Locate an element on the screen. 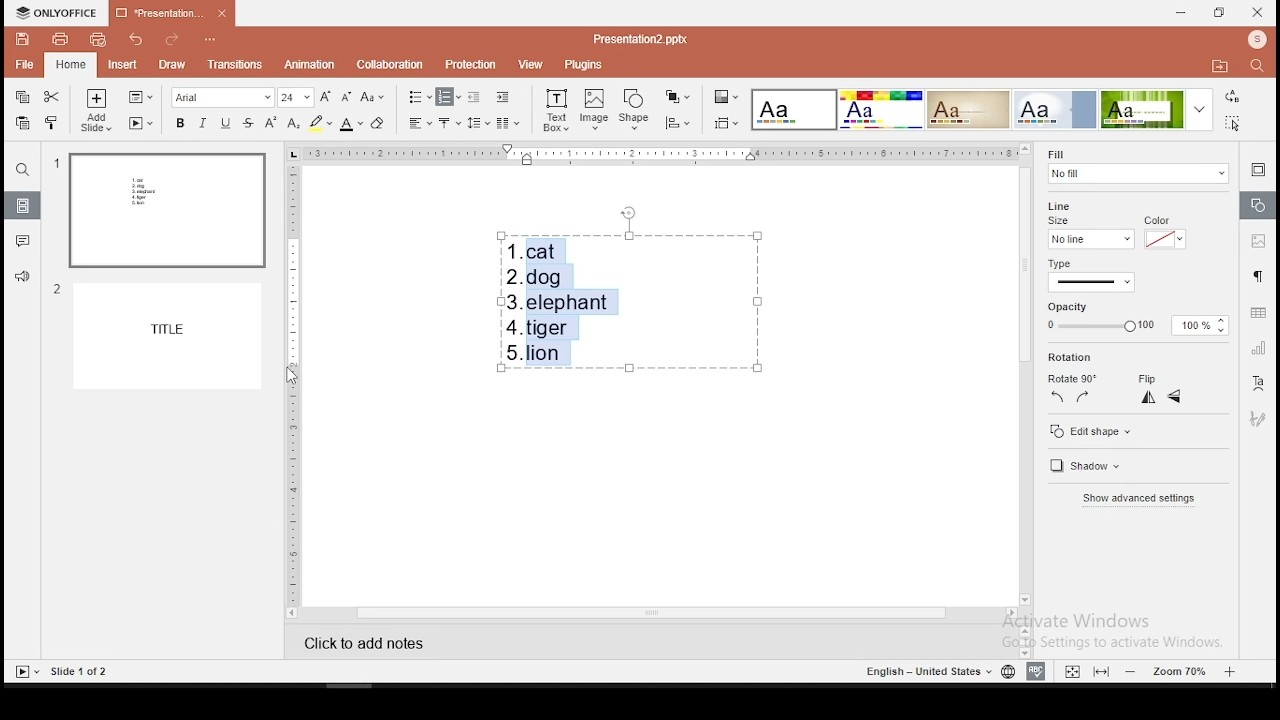 This screenshot has height=720, width=1280. close window is located at coordinates (1259, 13).